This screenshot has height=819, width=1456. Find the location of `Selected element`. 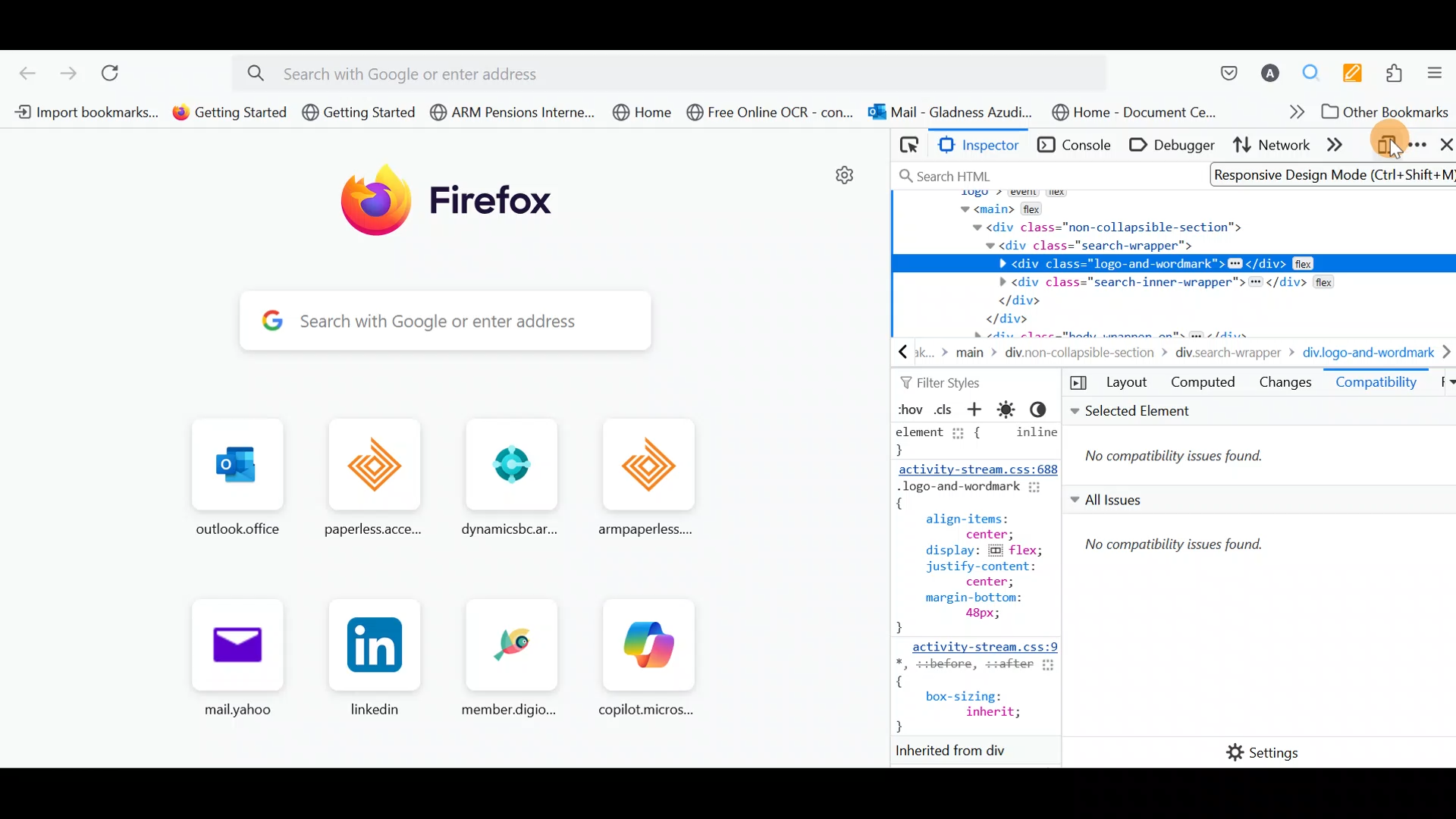

Selected element is located at coordinates (1261, 442).